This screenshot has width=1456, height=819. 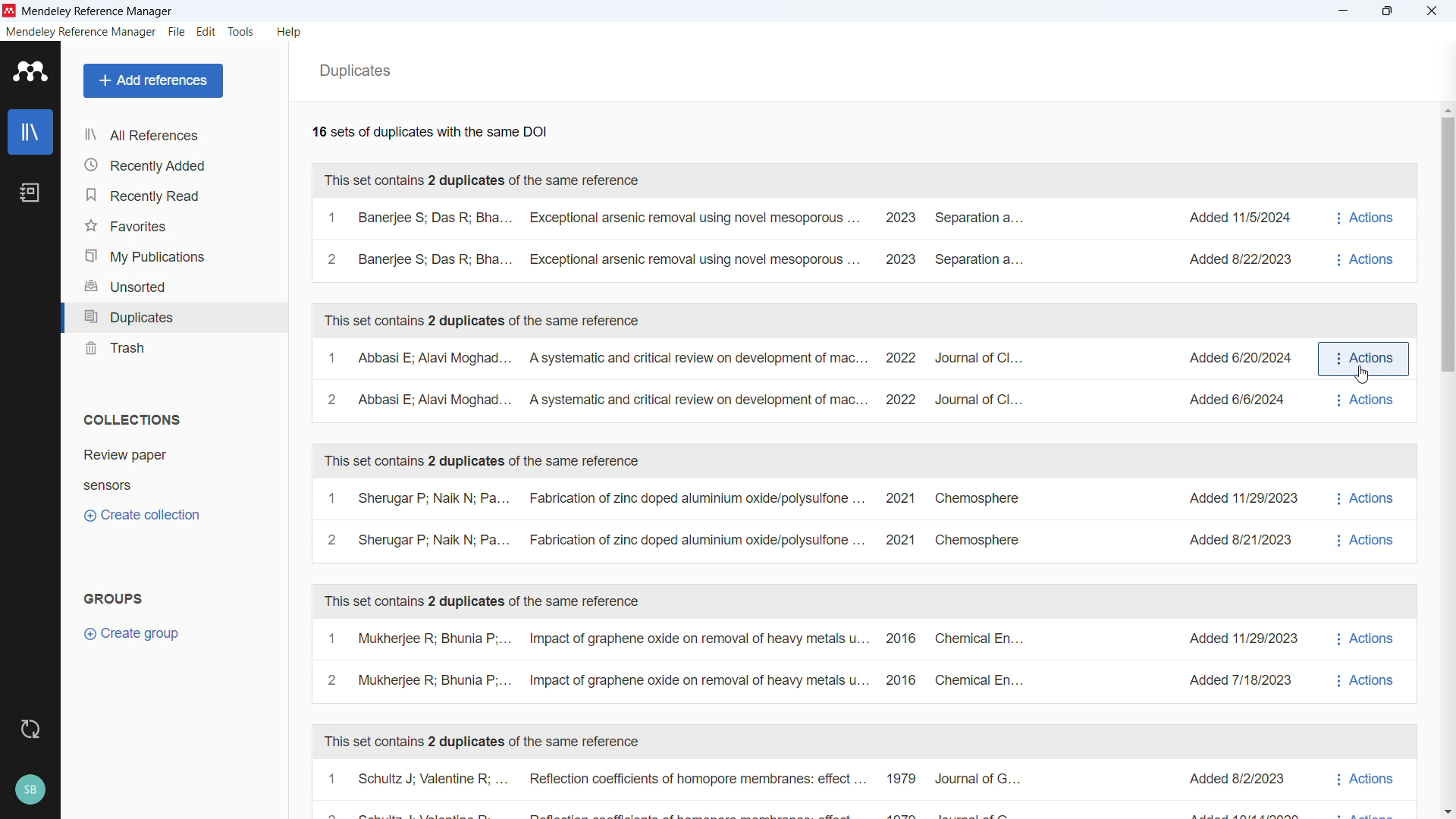 What do you see at coordinates (485, 601) in the screenshot?
I see `This set contains 2 duplicates of the same reference` at bounding box center [485, 601].